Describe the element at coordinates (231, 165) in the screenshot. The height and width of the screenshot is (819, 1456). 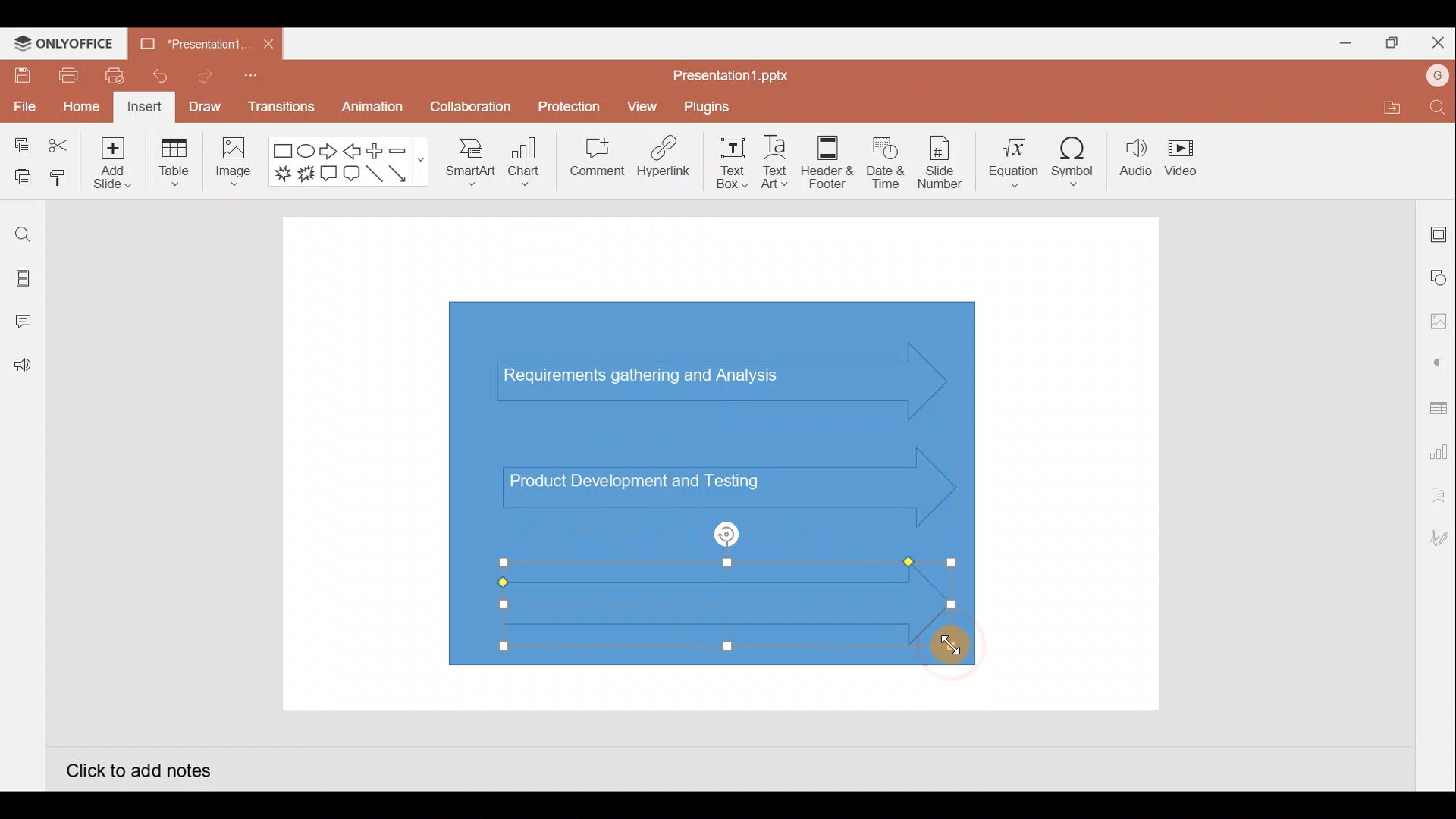
I see `Image` at that location.